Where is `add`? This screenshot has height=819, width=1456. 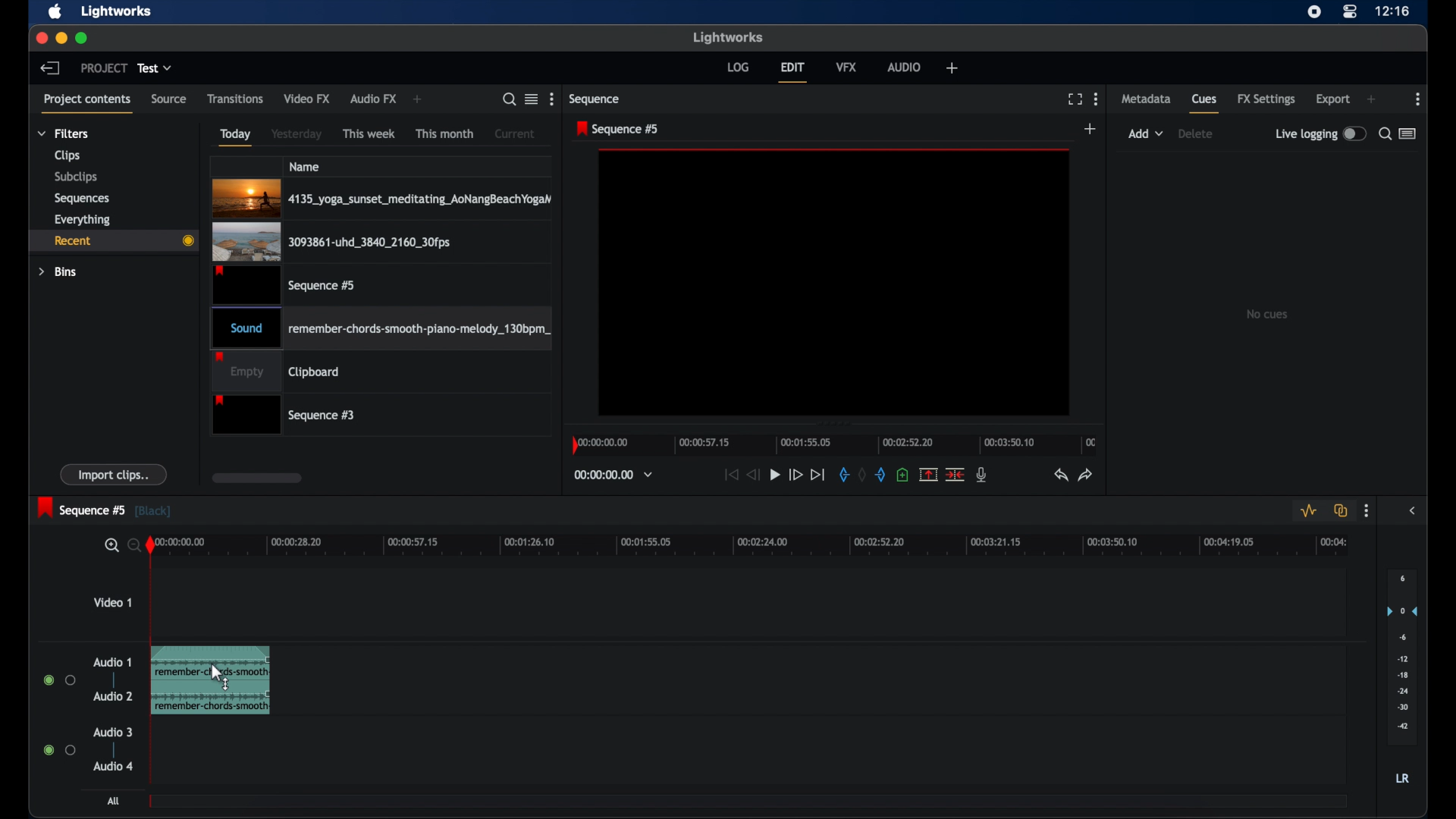 add is located at coordinates (1091, 130).